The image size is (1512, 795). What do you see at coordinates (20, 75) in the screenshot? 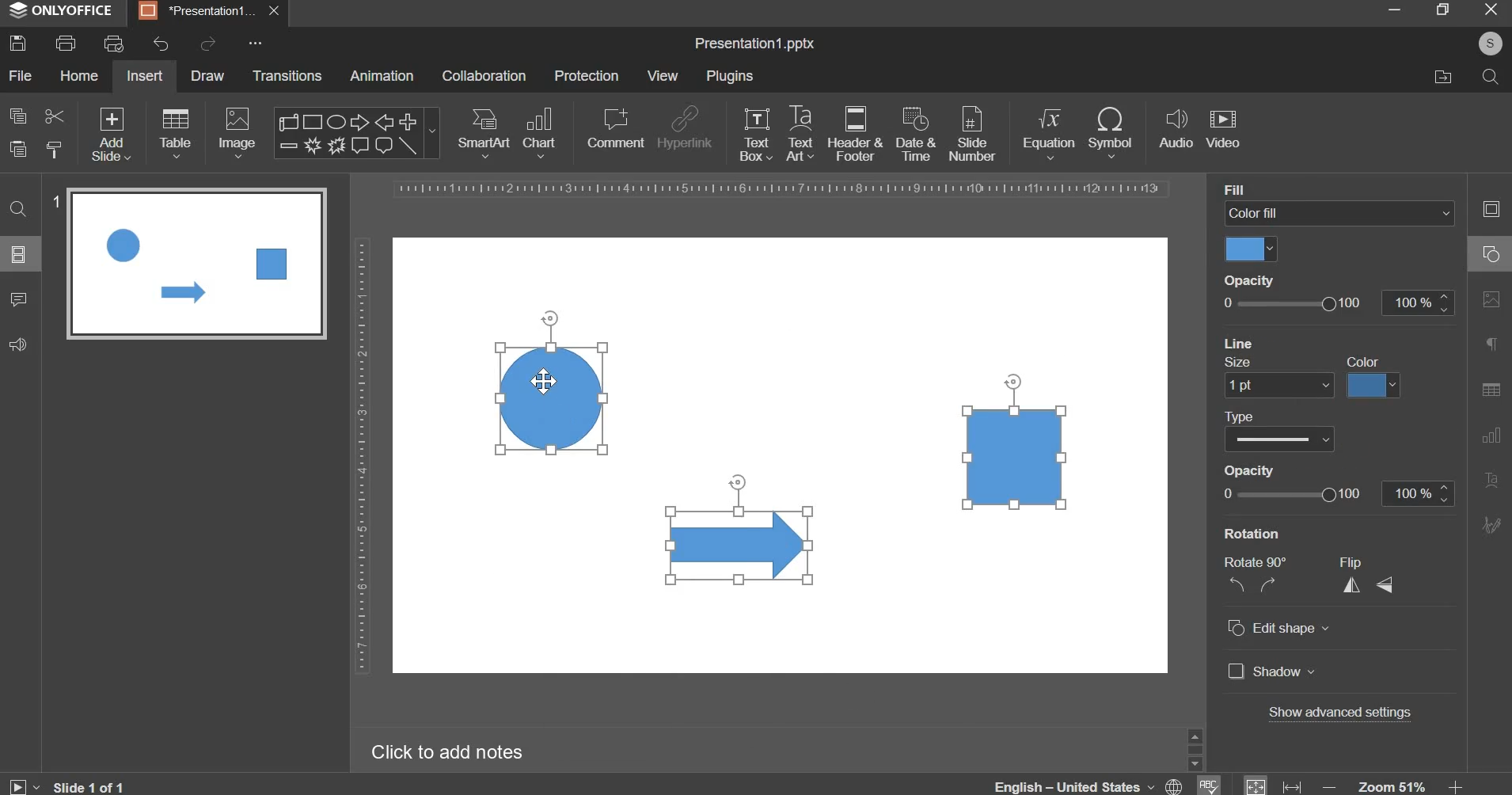
I see `file` at bounding box center [20, 75].